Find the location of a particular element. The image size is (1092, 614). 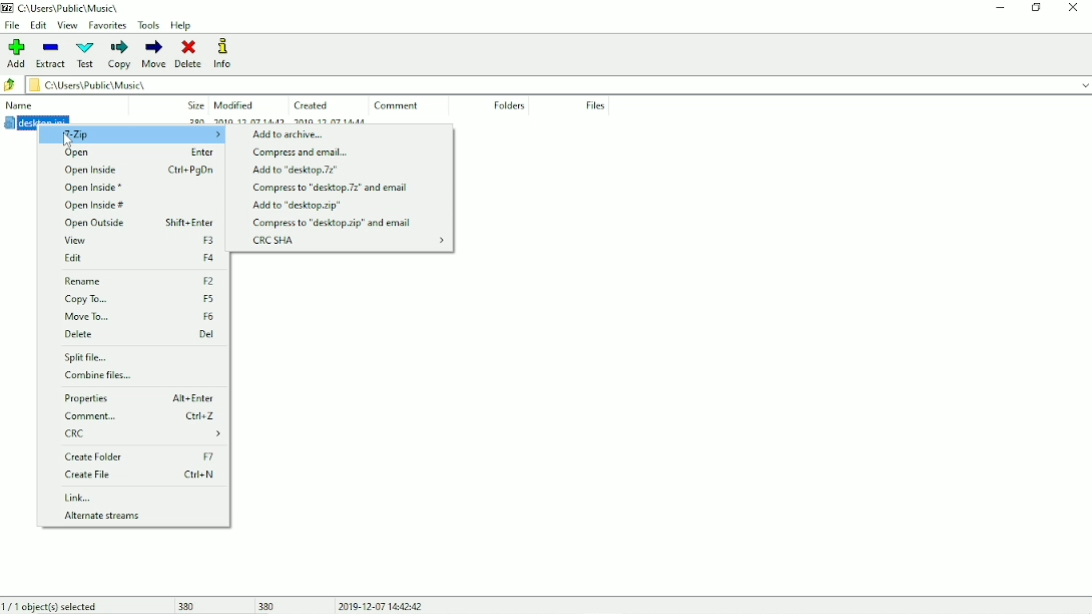

Favorites is located at coordinates (106, 26).